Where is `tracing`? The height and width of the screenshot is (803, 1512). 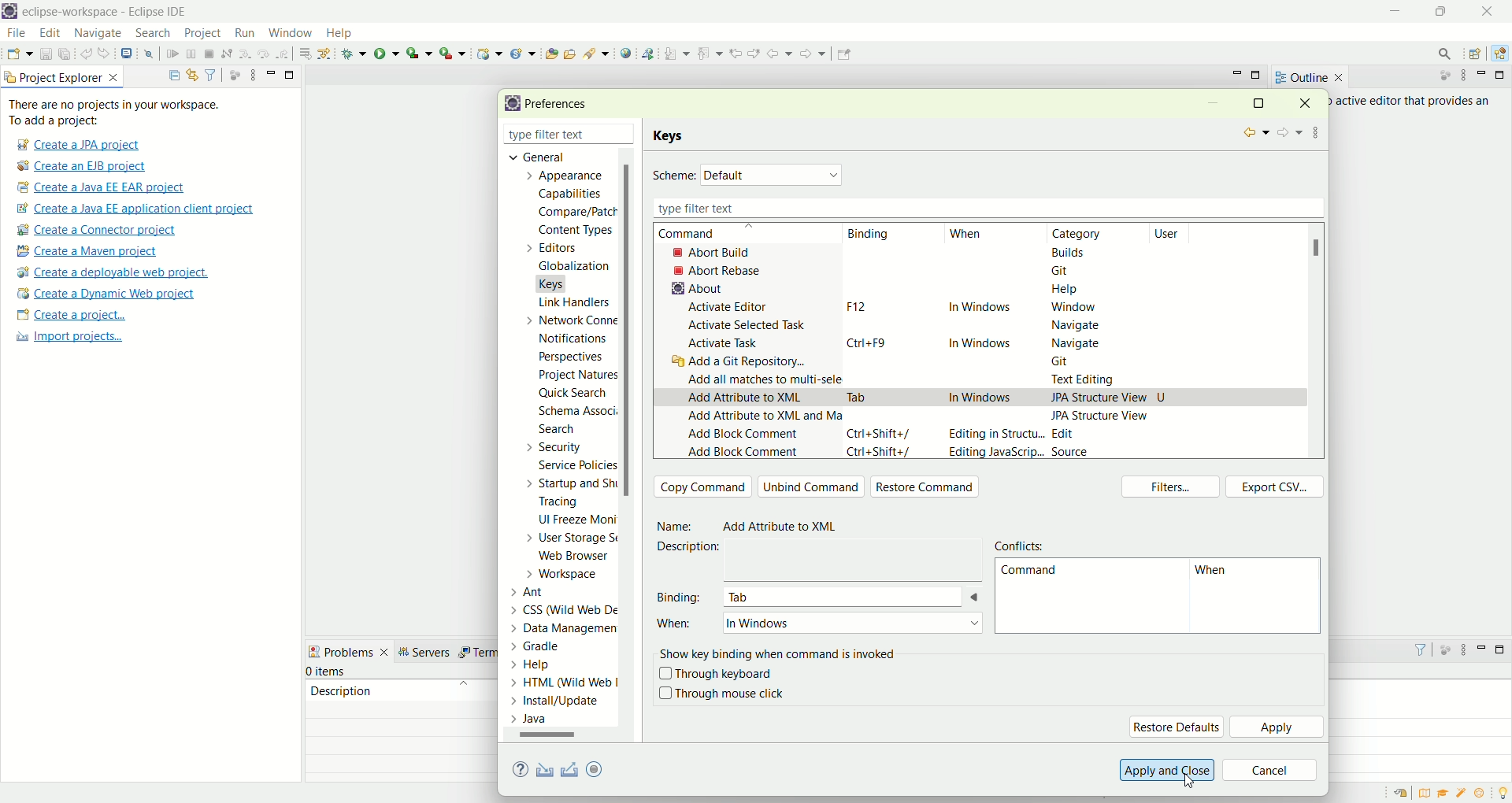 tracing is located at coordinates (569, 503).